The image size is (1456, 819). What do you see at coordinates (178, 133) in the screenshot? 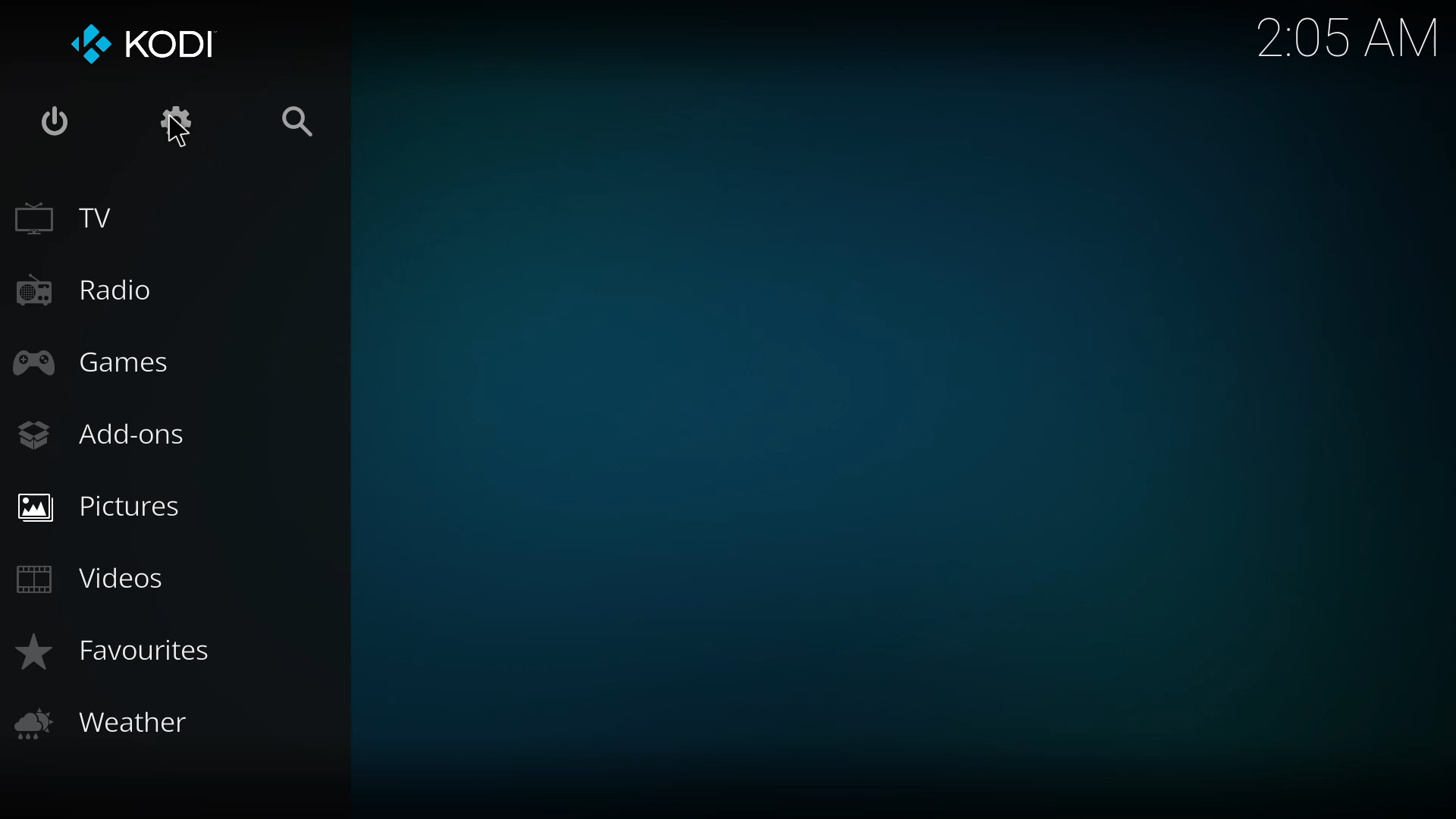
I see `cursor` at bounding box center [178, 133].